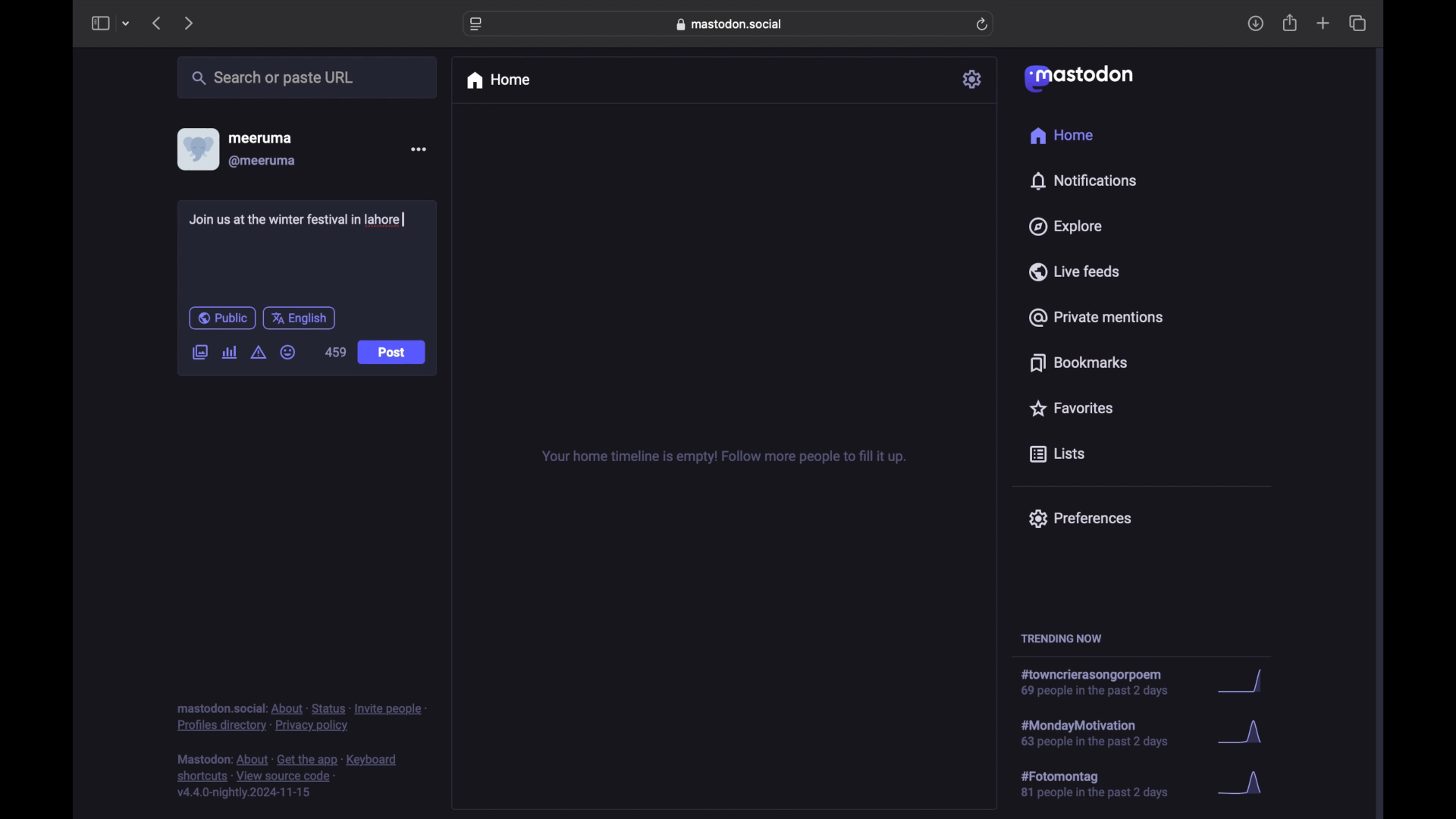 This screenshot has width=1456, height=819. What do you see at coordinates (1103, 683) in the screenshot?
I see `hashtag trend` at bounding box center [1103, 683].